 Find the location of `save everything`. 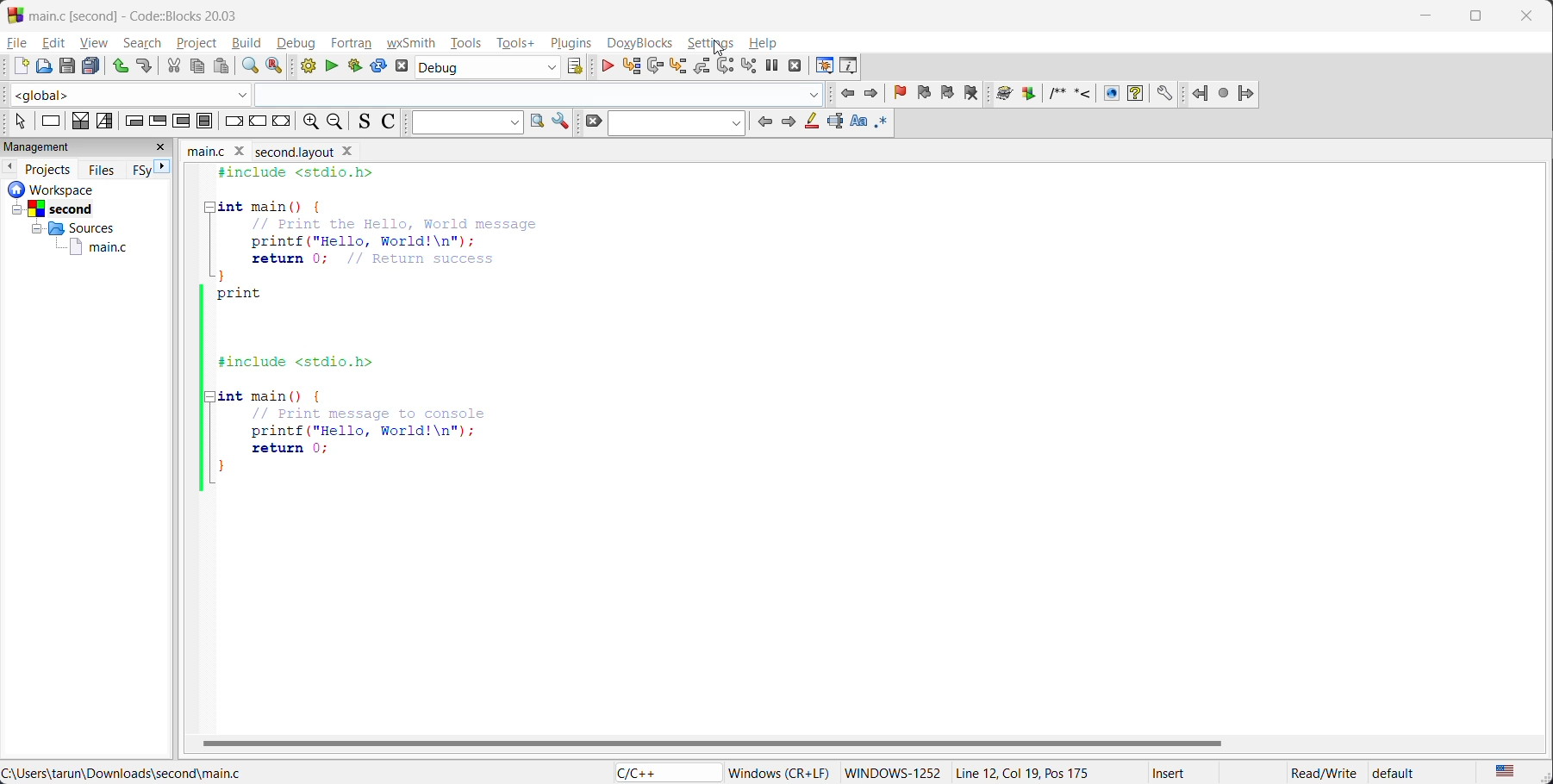

save everything is located at coordinates (90, 65).